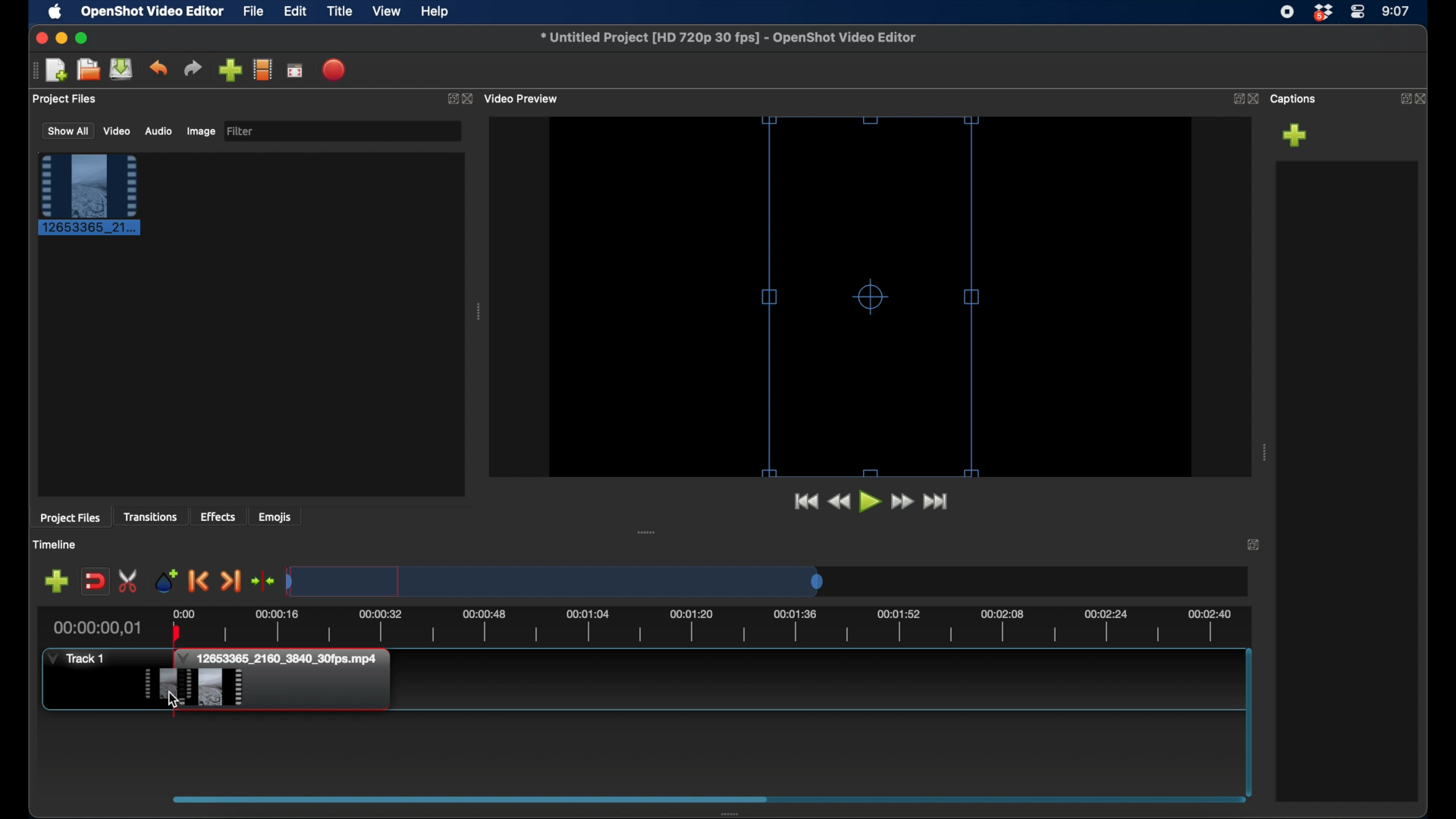 This screenshot has height=819, width=1456. I want to click on captions, so click(1295, 99).